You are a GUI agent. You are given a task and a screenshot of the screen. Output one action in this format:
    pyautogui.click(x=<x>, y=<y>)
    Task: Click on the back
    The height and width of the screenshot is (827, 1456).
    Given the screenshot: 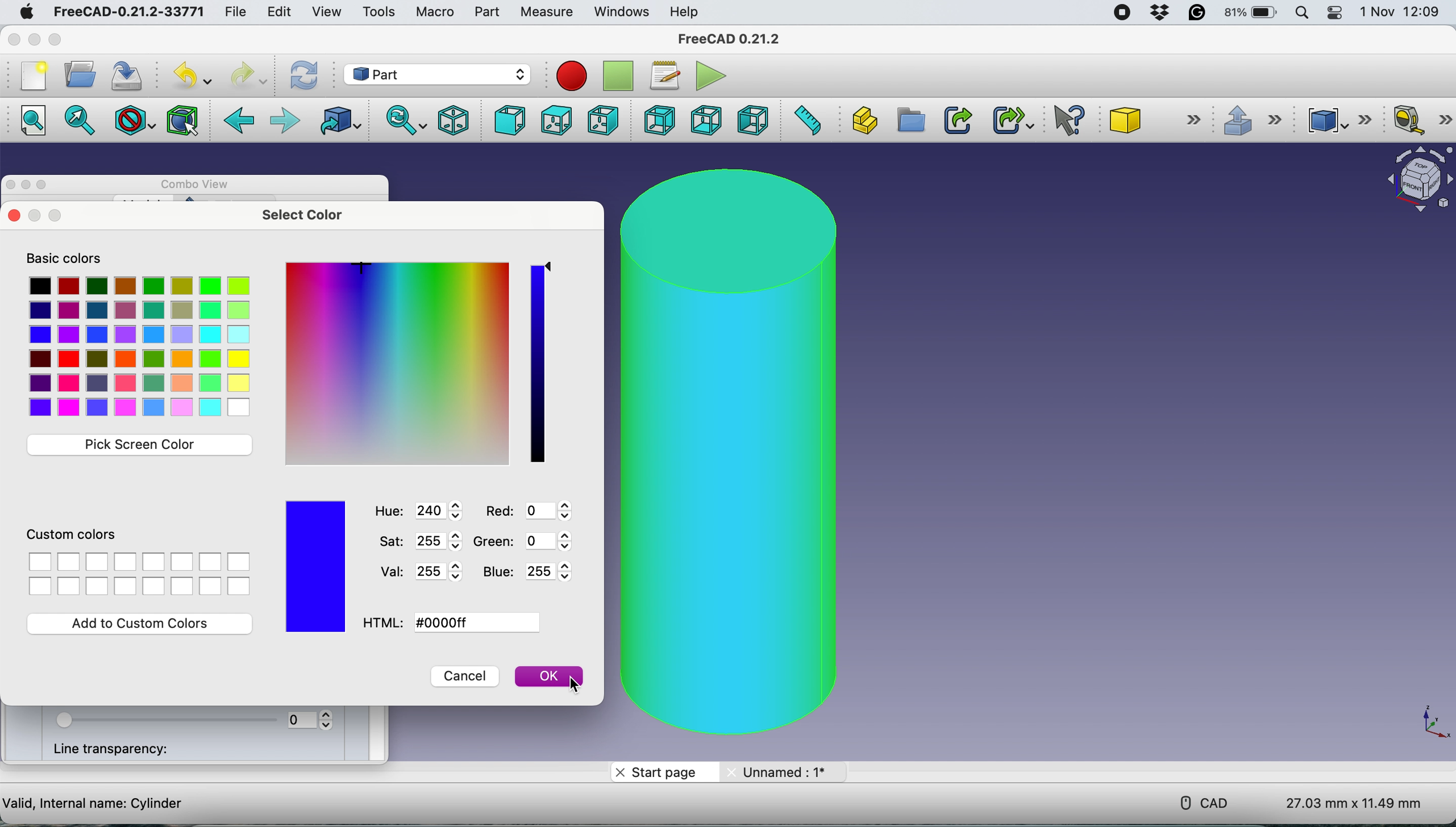 What is the action you would take?
    pyautogui.click(x=240, y=120)
    